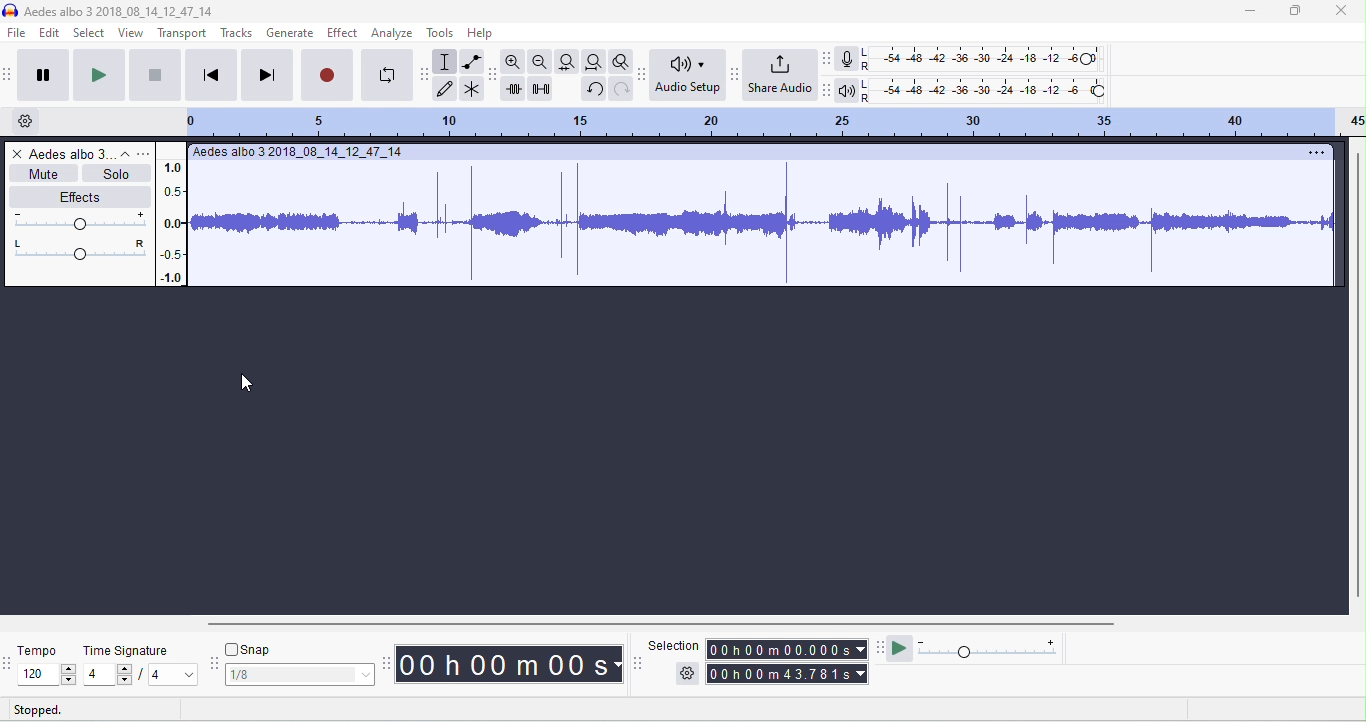 This screenshot has width=1366, height=722. What do you see at coordinates (540, 62) in the screenshot?
I see `zoom out` at bounding box center [540, 62].